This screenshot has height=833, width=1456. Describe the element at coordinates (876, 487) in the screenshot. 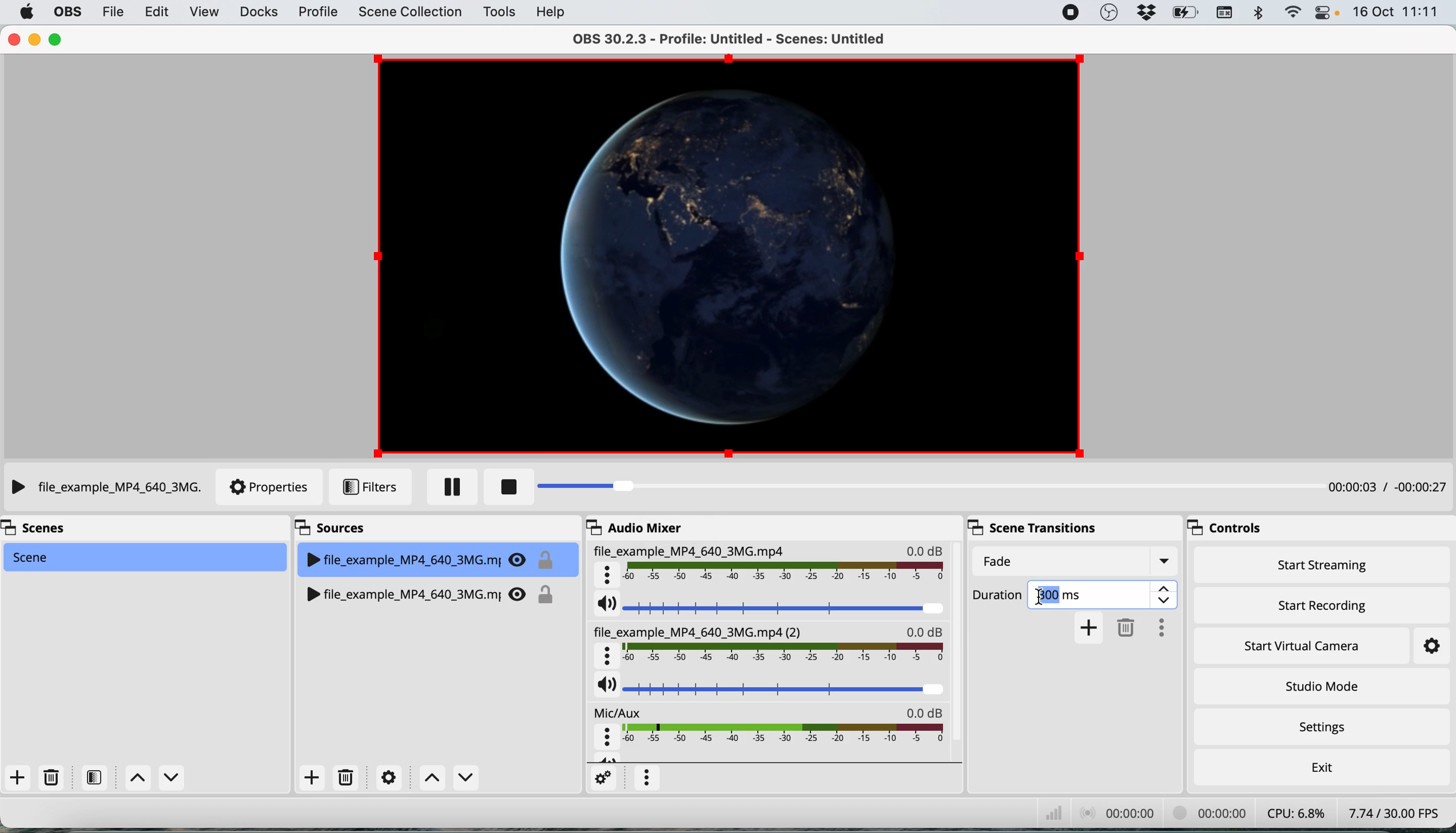

I see `progress bar` at that location.